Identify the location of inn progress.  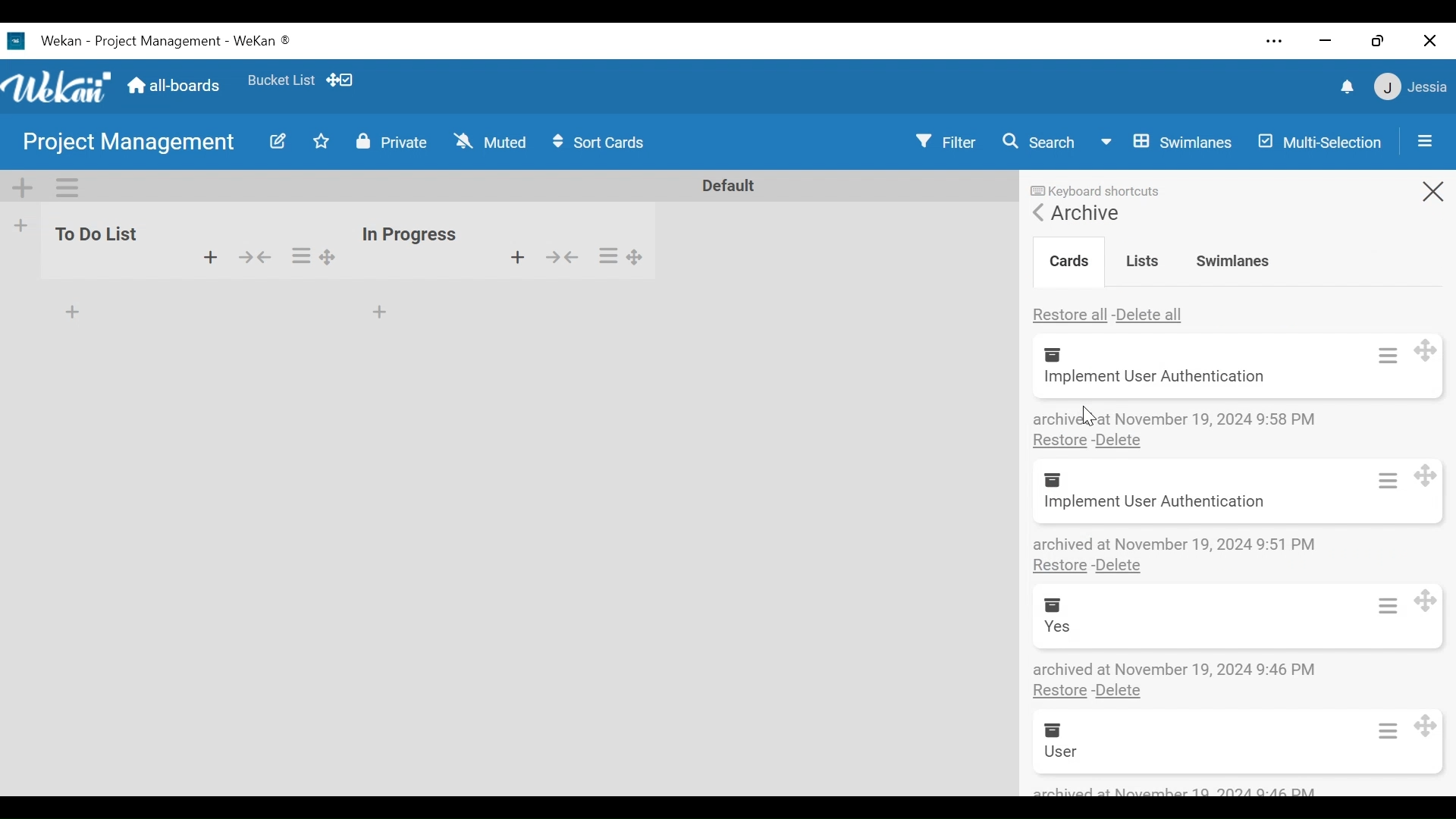
(410, 228).